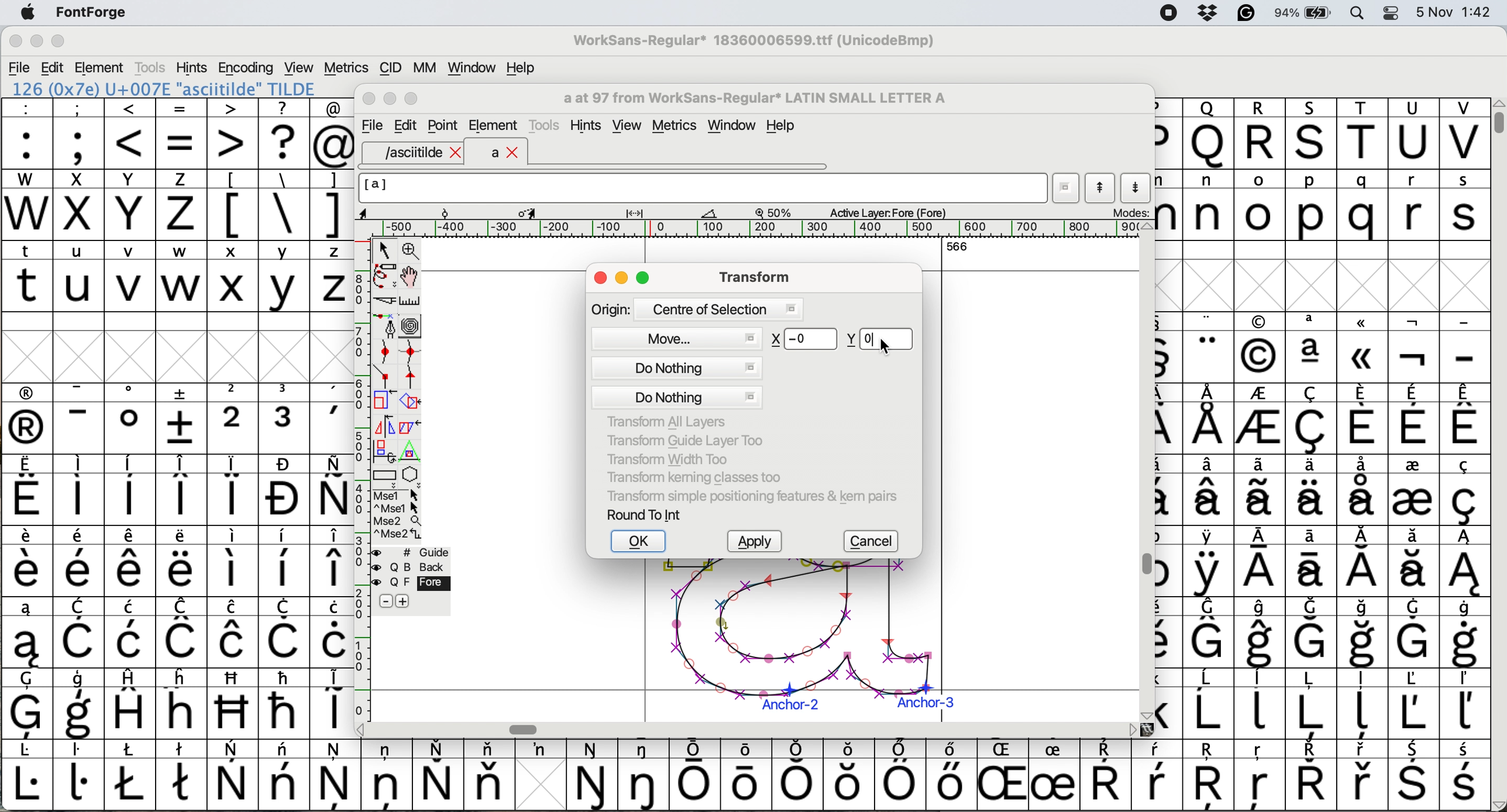 This screenshot has width=1507, height=812. I want to click on close, so click(15, 43).